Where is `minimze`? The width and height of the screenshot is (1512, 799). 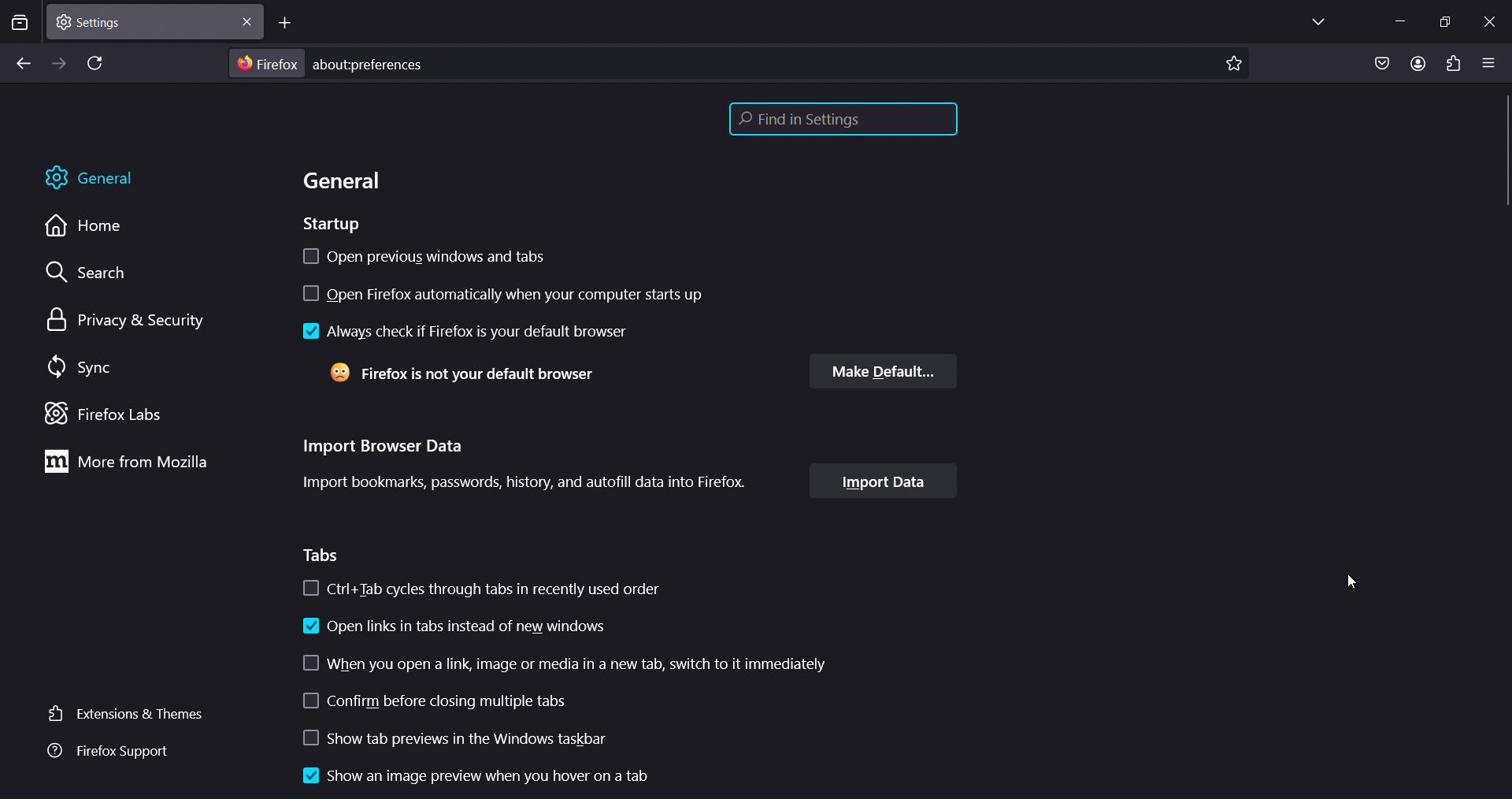 minimze is located at coordinates (1404, 22).